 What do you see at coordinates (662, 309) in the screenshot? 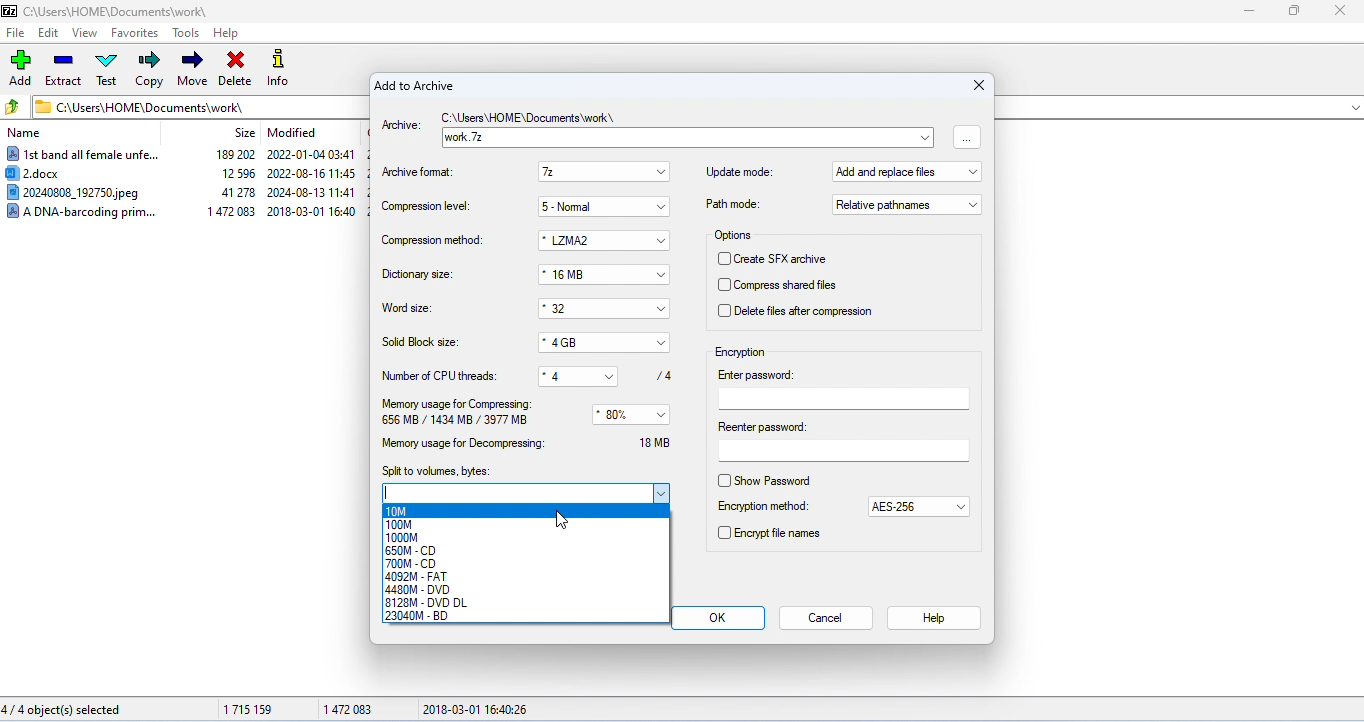
I see `drop down` at bounding box center [662, 309].